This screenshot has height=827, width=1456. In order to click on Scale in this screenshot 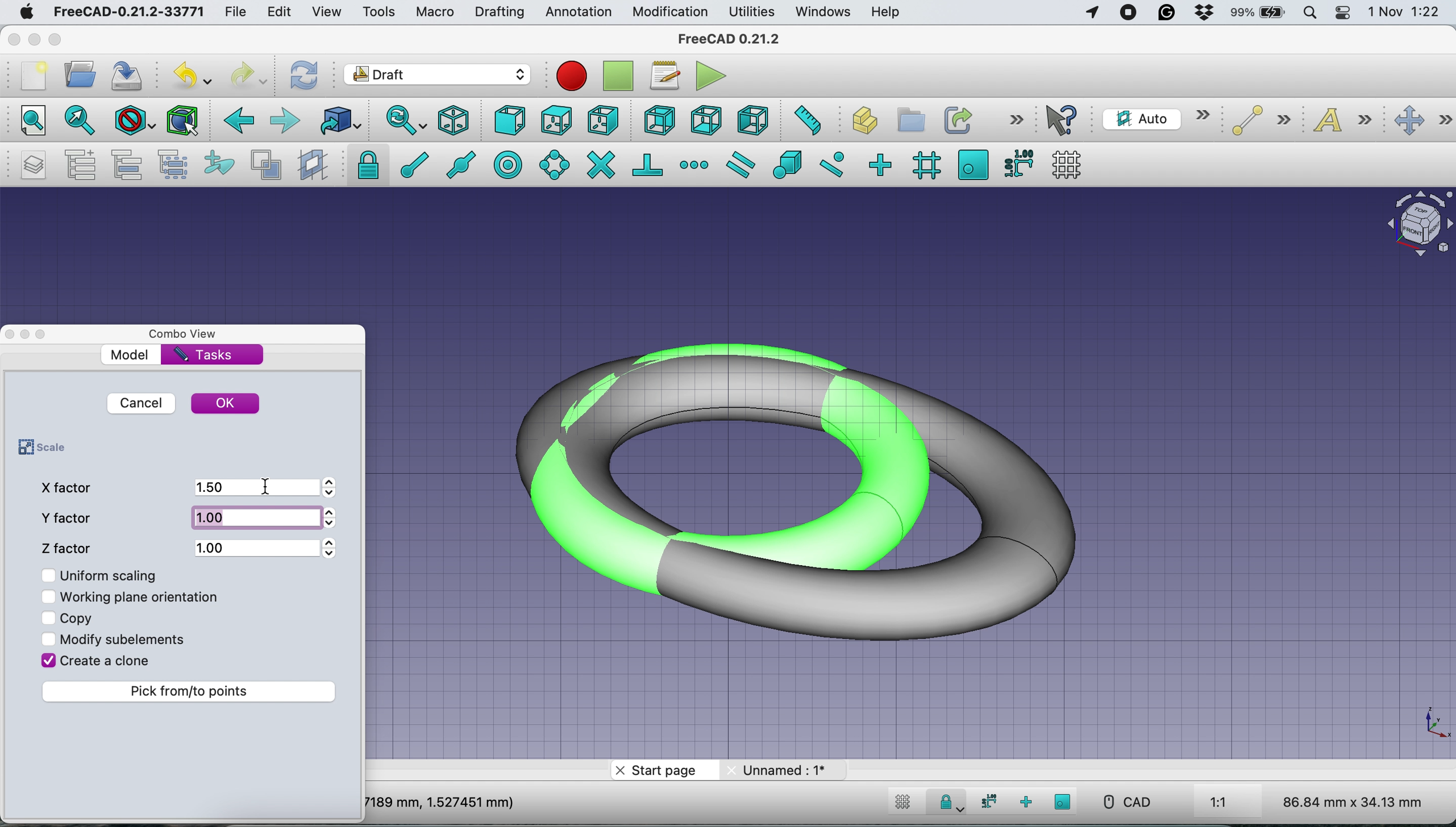, I will do `click(1434, 724)`.